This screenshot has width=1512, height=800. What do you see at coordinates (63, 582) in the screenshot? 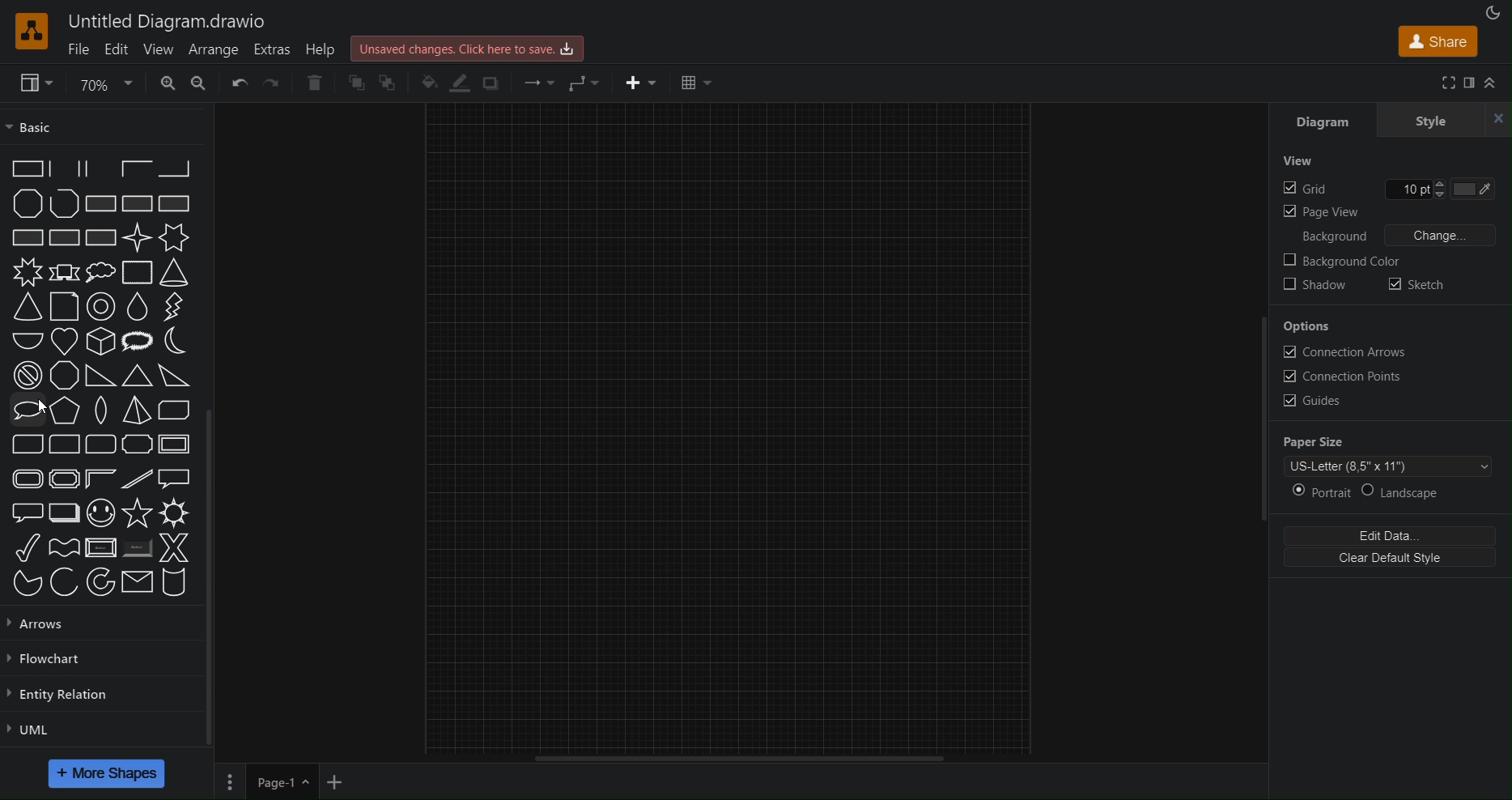
I see `Arc` at bounding box center [63, 582].